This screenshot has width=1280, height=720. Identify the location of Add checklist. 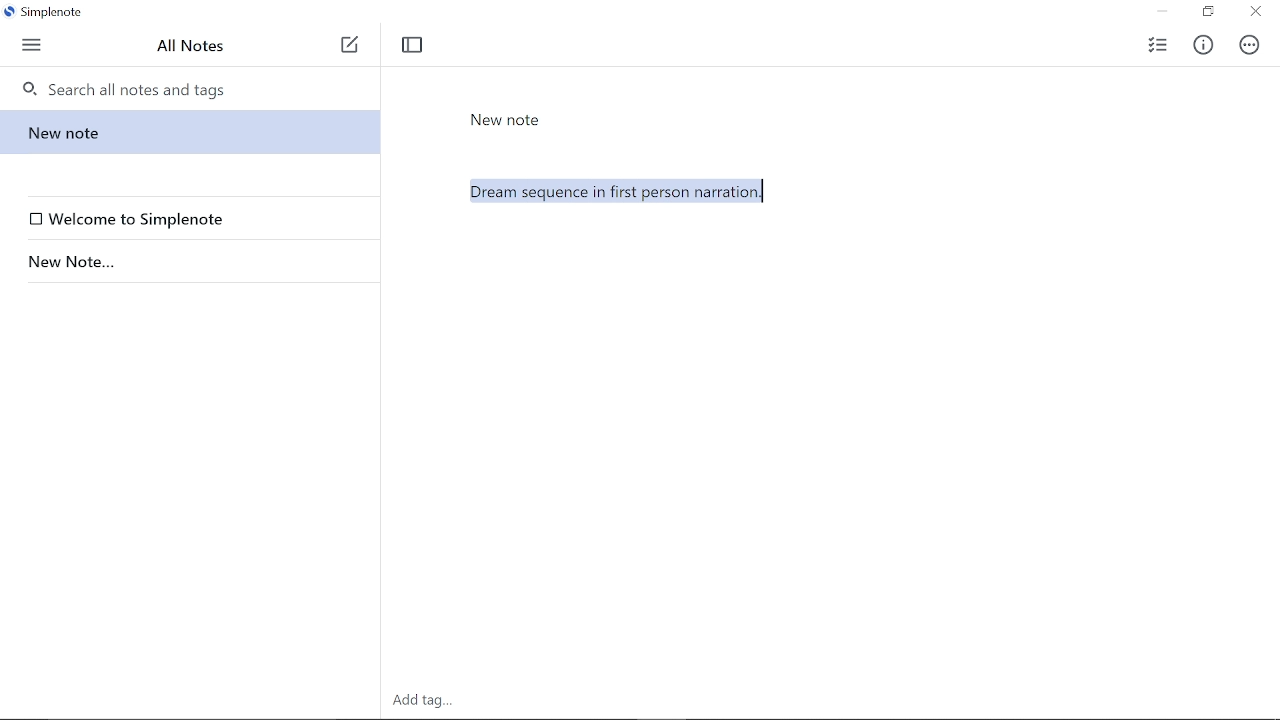
(1156, 43).